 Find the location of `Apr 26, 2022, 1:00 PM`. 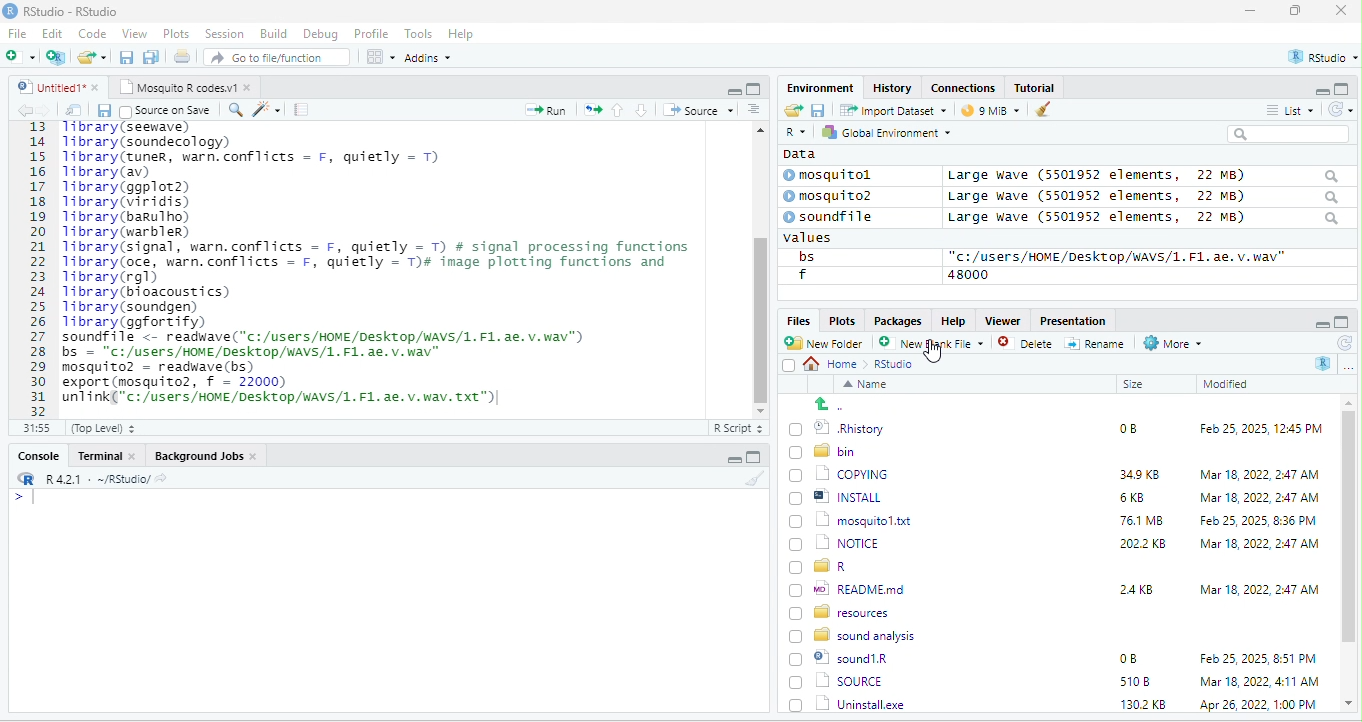

Apr 26, 2022, 1:00 PM is located at coordinates (1260, 706).